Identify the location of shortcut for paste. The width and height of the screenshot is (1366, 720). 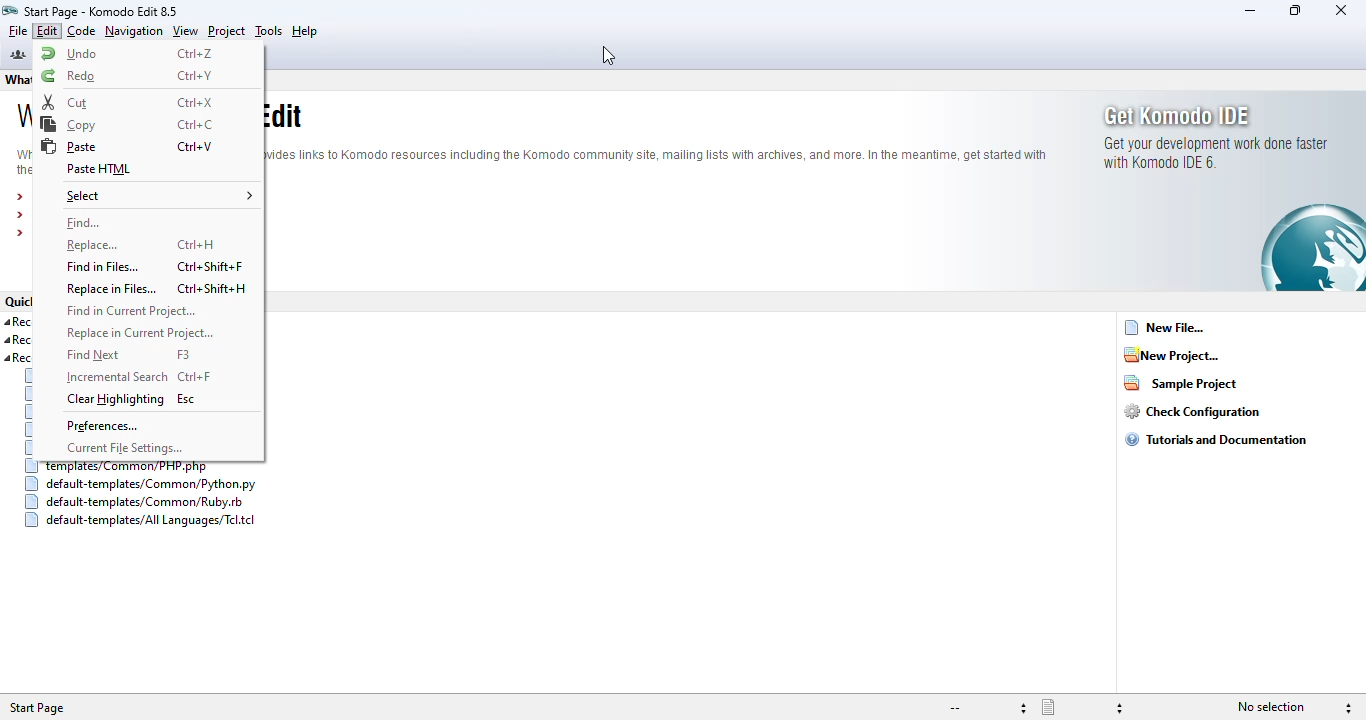
(196, 147).